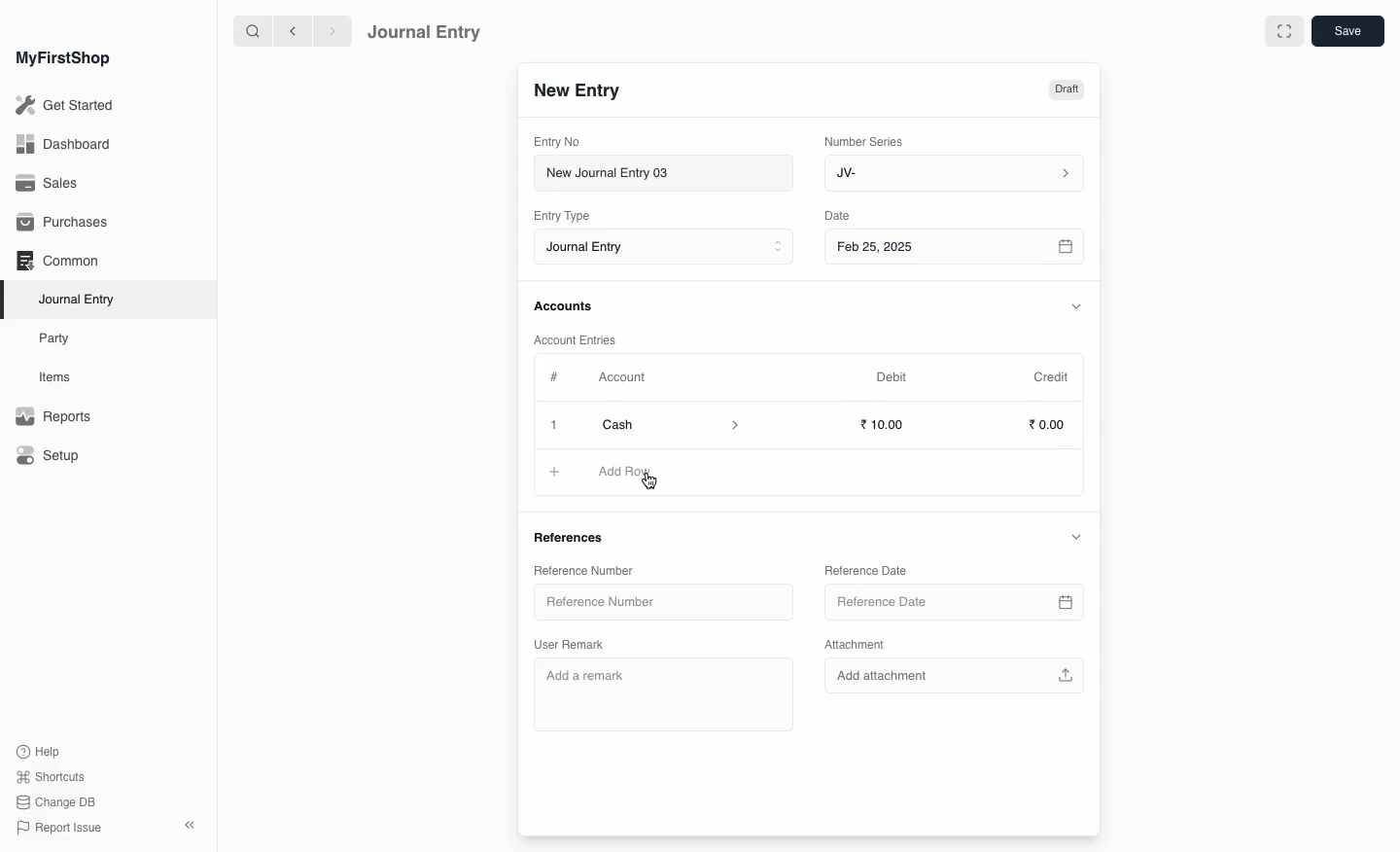  Describe the element at coordinates (190, 825) in the screenshot. I see `Collapse` at that location.